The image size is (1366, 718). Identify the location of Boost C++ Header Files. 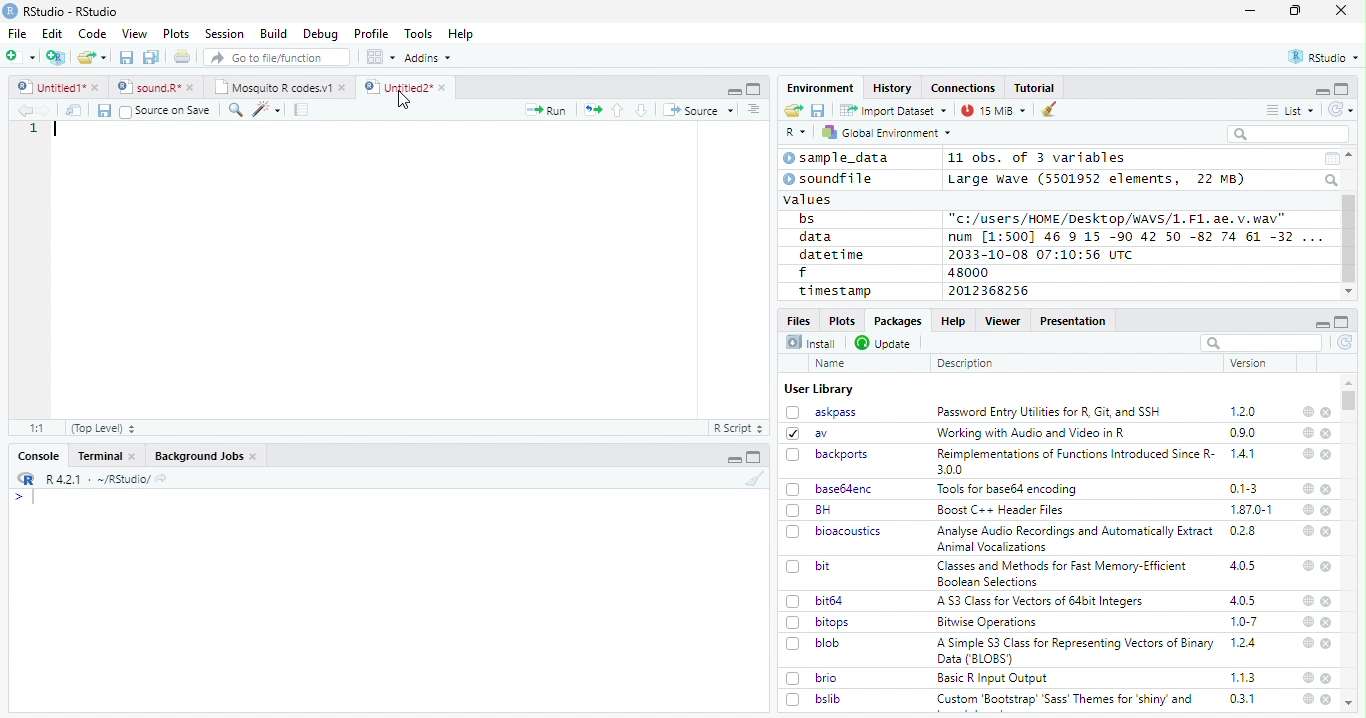
(998, 511).